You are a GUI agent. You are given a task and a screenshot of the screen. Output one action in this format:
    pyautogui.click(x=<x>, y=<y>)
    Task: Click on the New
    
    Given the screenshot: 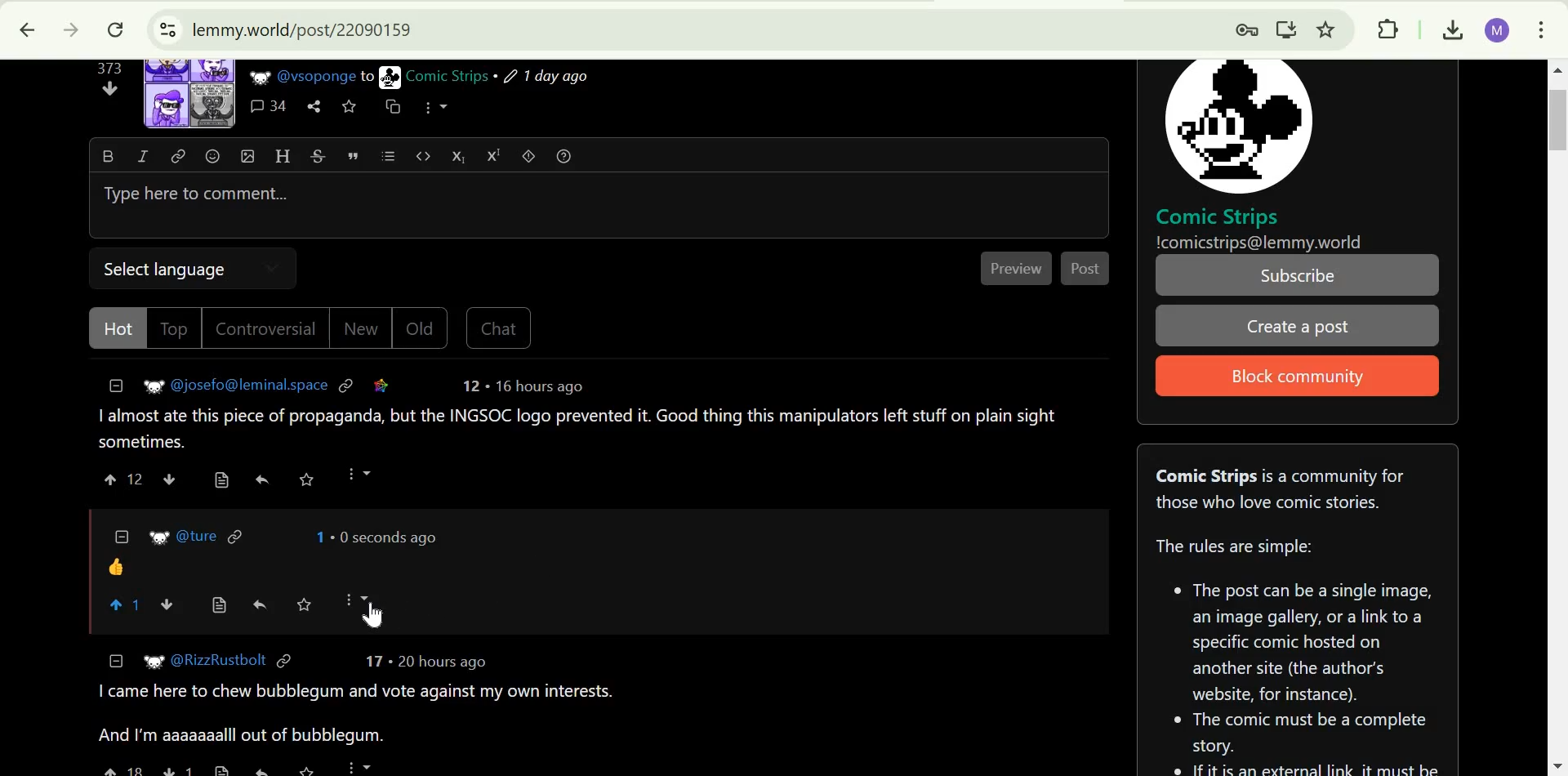 What is the action you would take?
    pyautogui.click(x=359, y=329)
    